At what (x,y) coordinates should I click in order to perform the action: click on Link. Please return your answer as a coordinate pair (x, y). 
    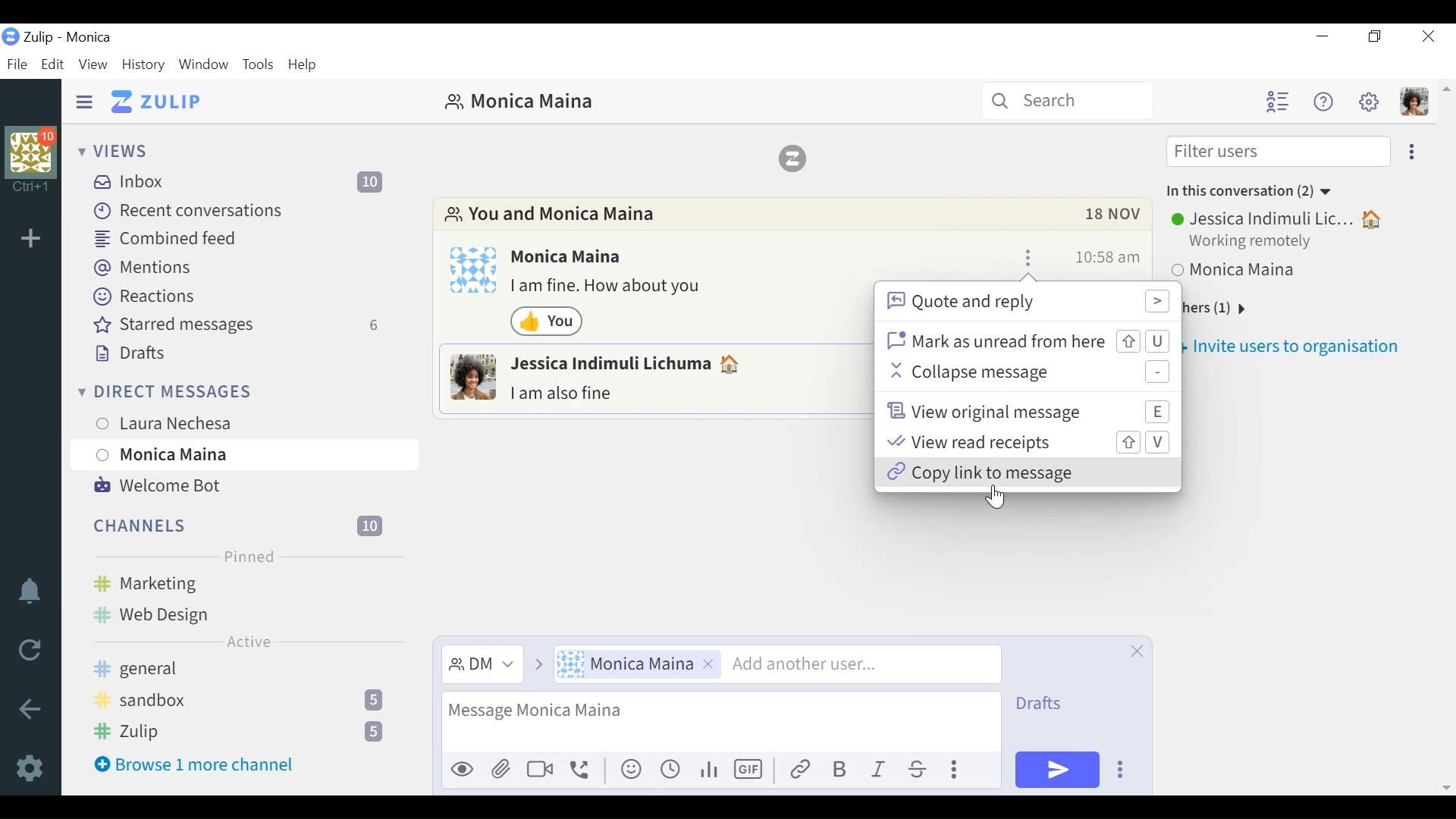
    Looking at the image, I should click on (800, 770).